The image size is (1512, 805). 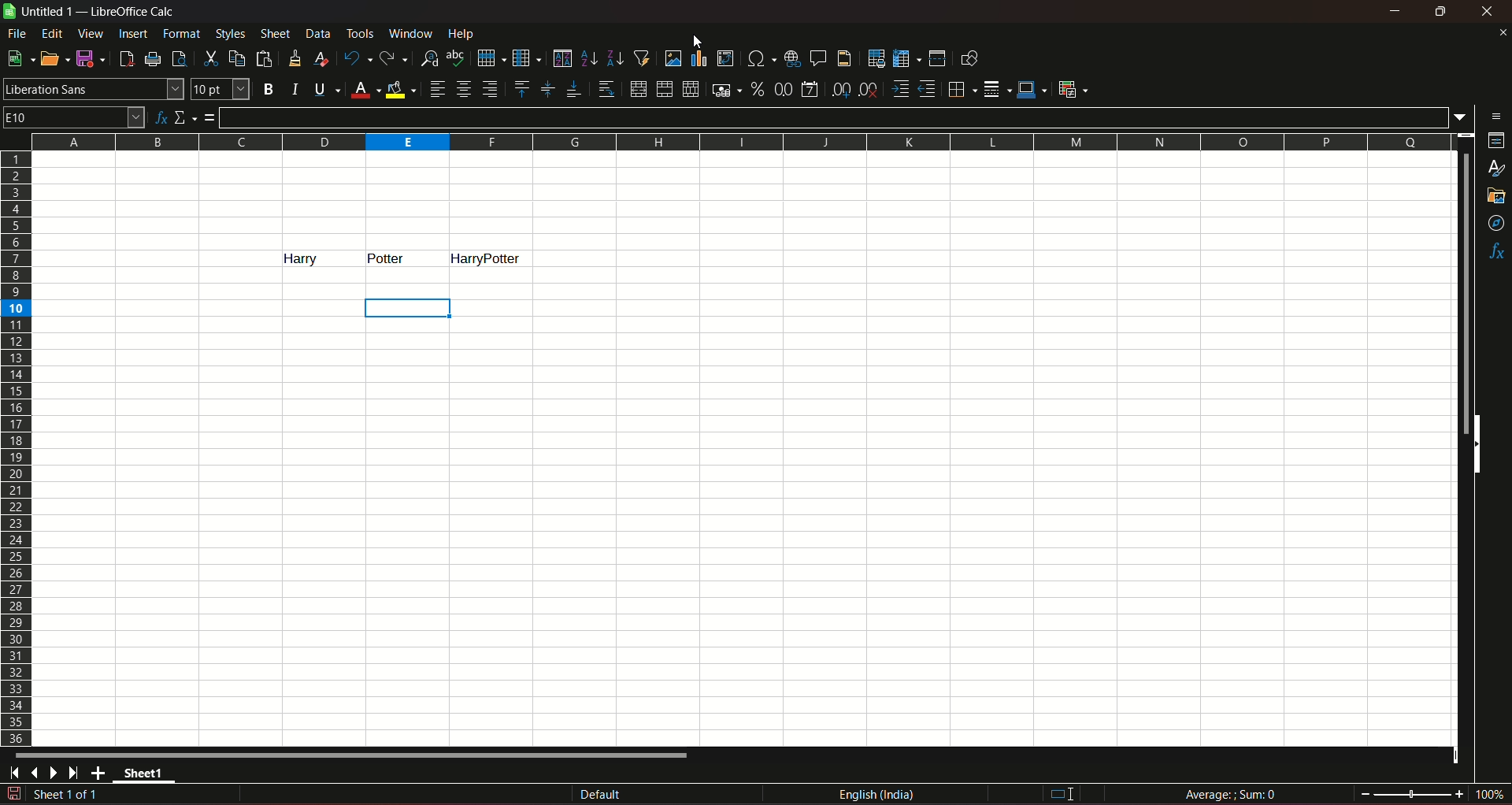 What do you see at coordinates (295, 88) in the screenshot?
I see `italic` at bounding box center [295, 88].